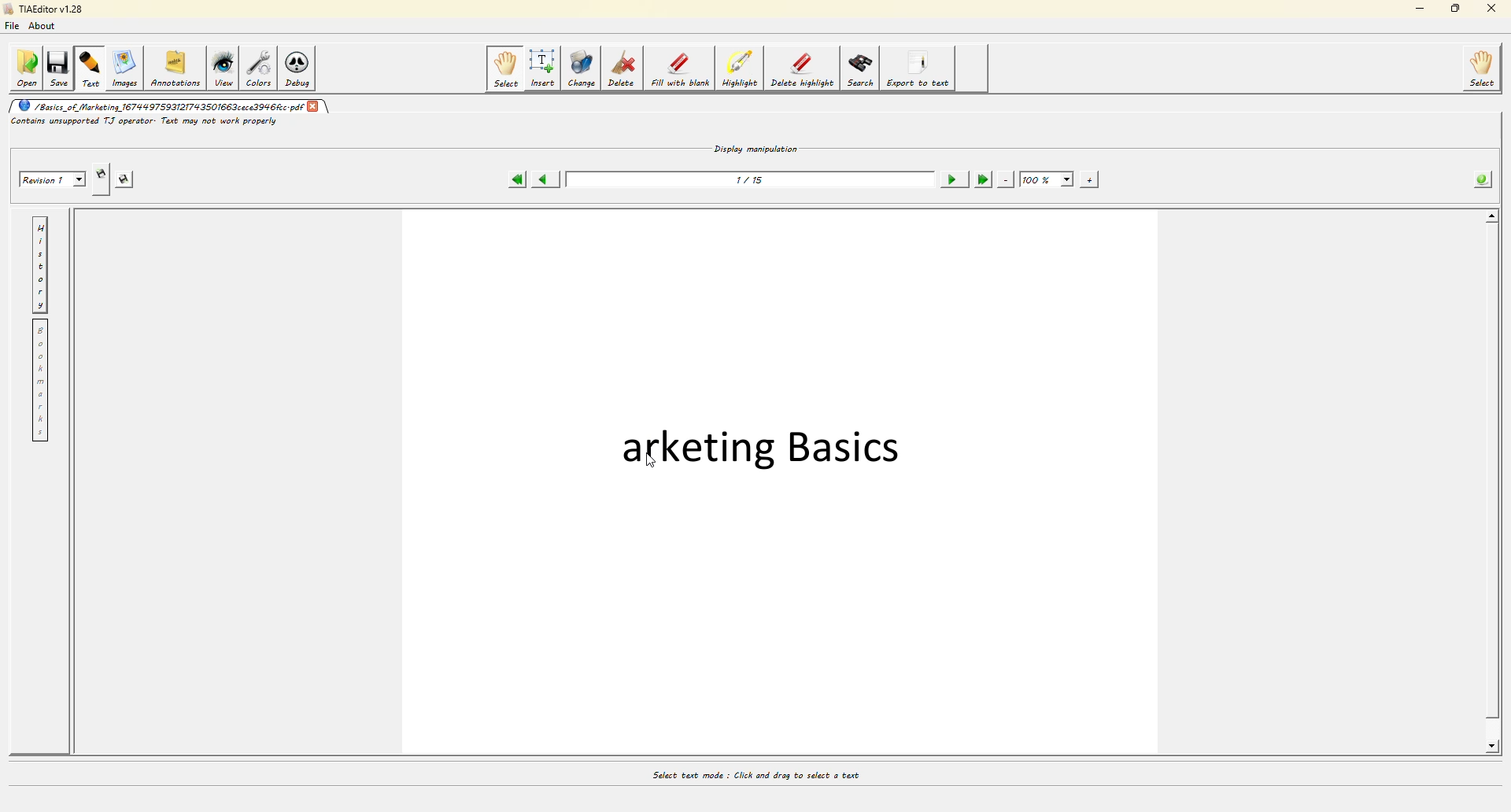  I want to click on view, so click(225, 68).